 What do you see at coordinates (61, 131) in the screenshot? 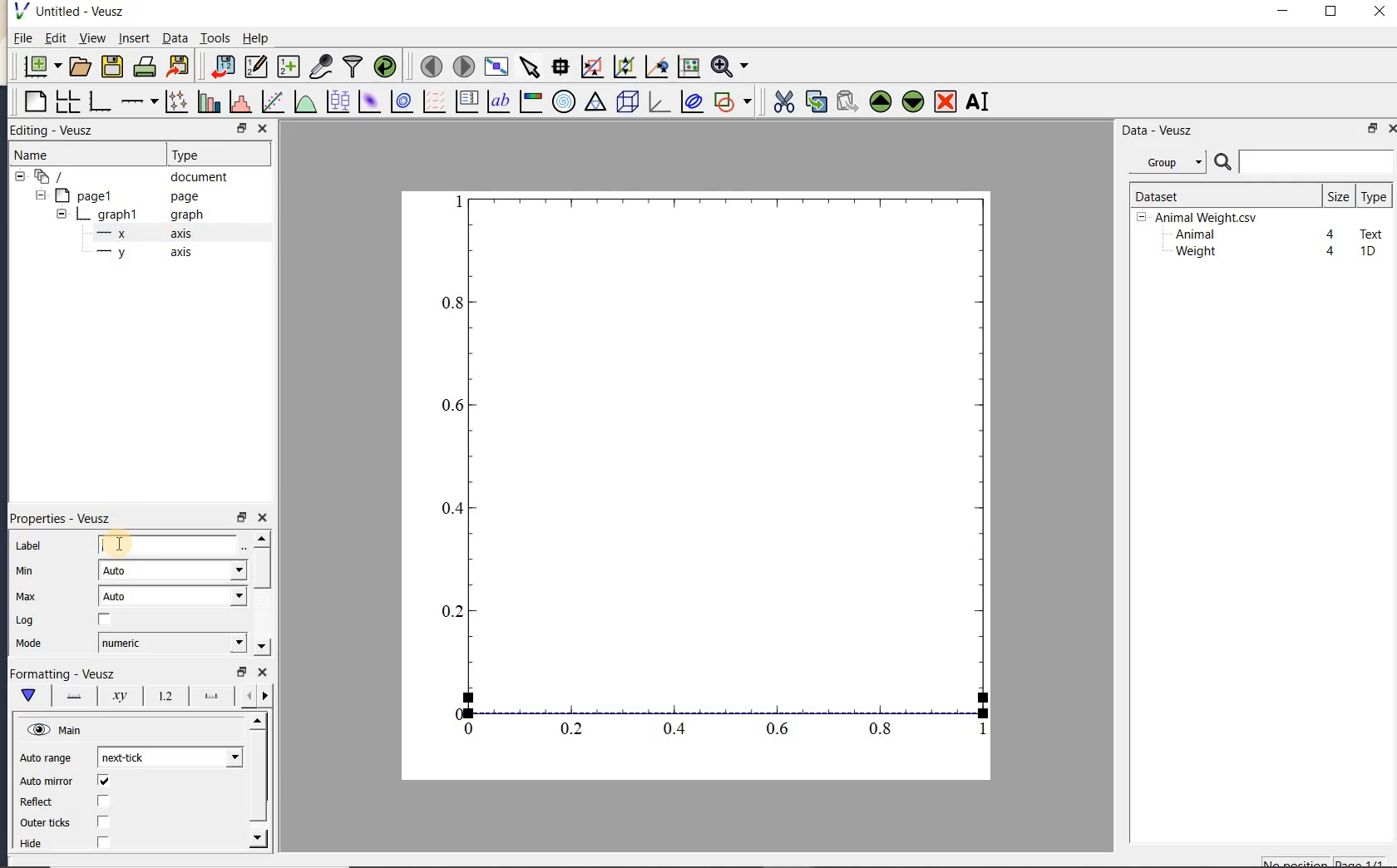
I see `Editing - Veusz` at bounding box center [61, 131].